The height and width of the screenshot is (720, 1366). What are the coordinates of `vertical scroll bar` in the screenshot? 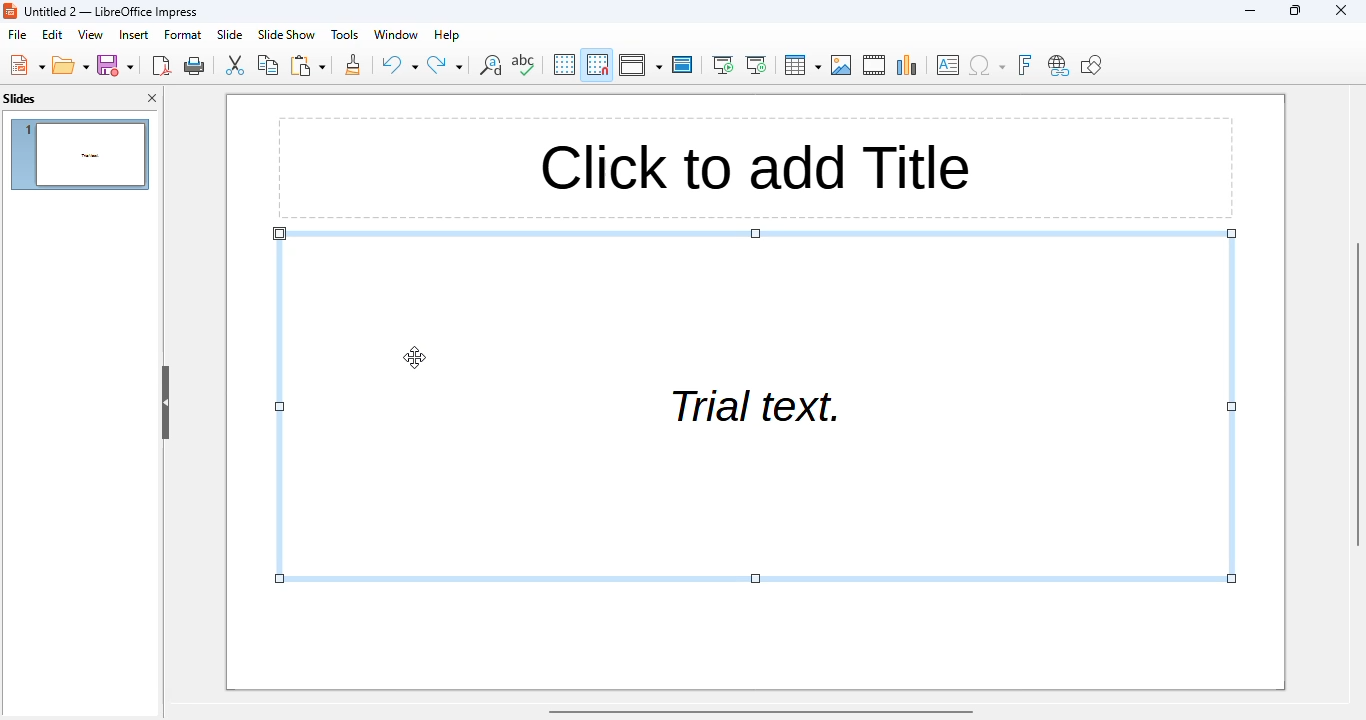 It's located at (1357, 392).